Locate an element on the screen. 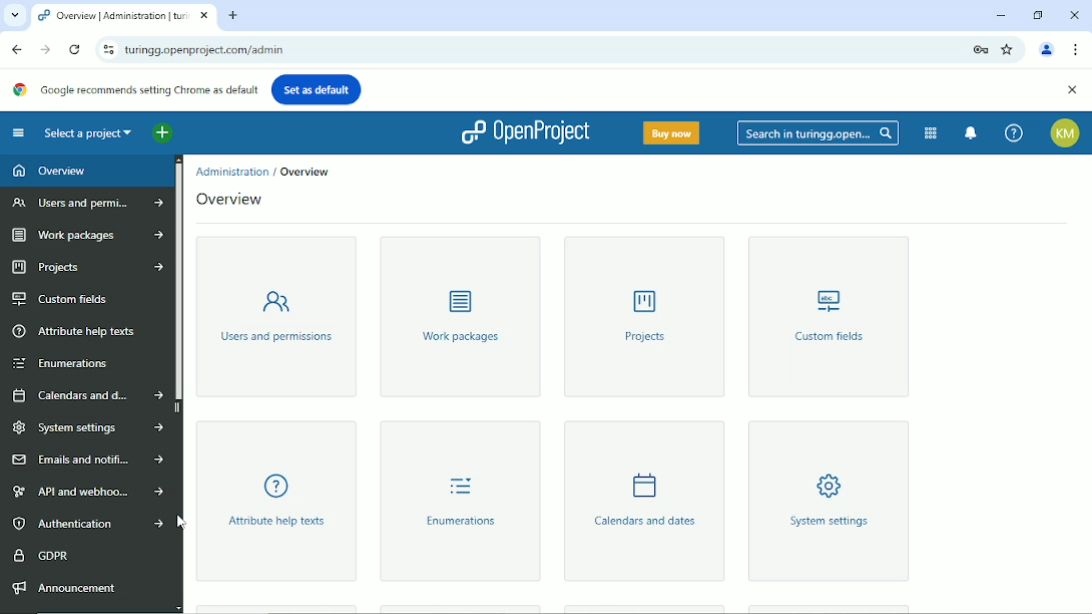 The height and width of the screenshot is (614, 1092). Help is located at coordinates (1013, 133).